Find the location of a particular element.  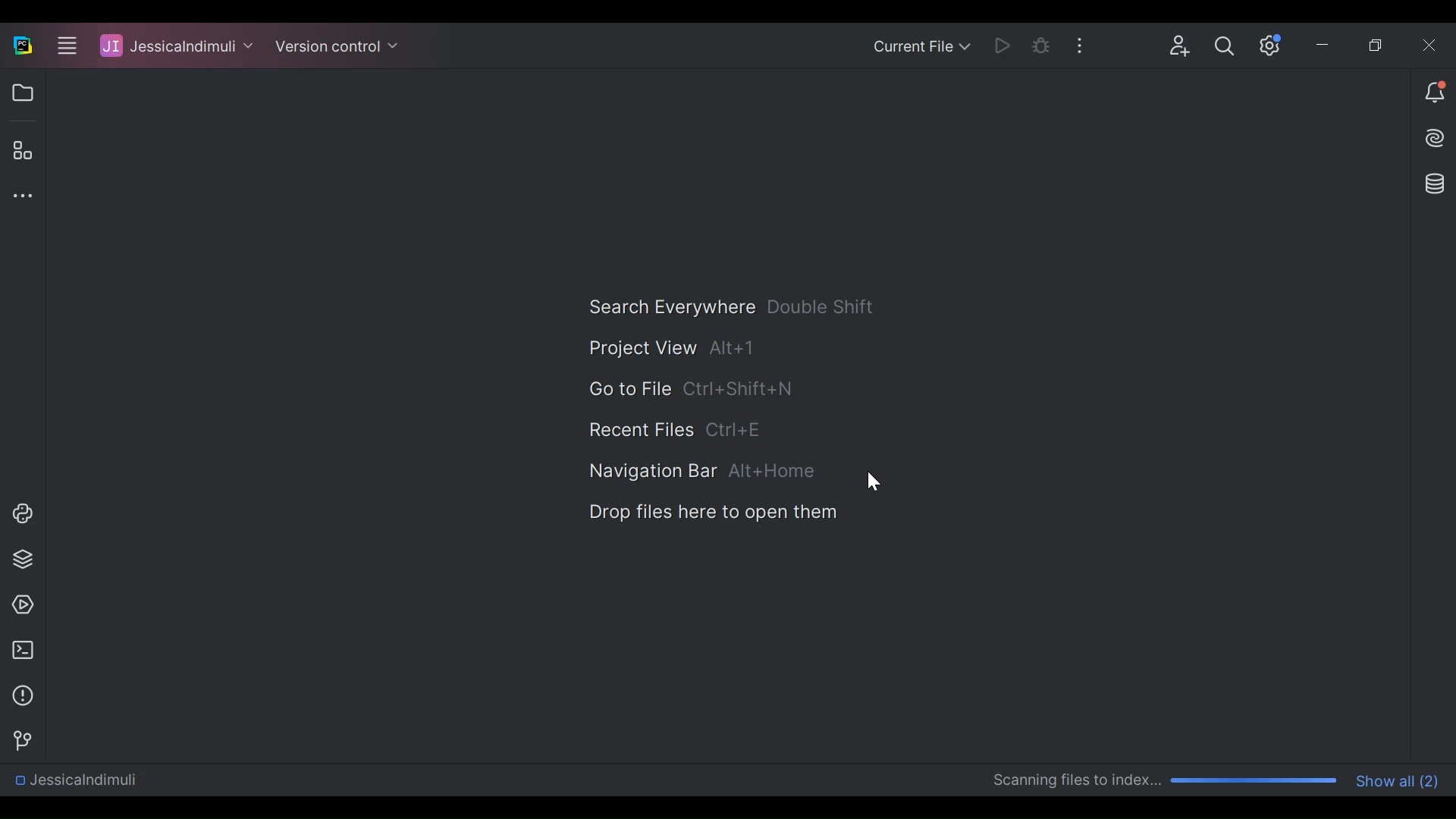

Settings is located at coordinates (1224, 45).